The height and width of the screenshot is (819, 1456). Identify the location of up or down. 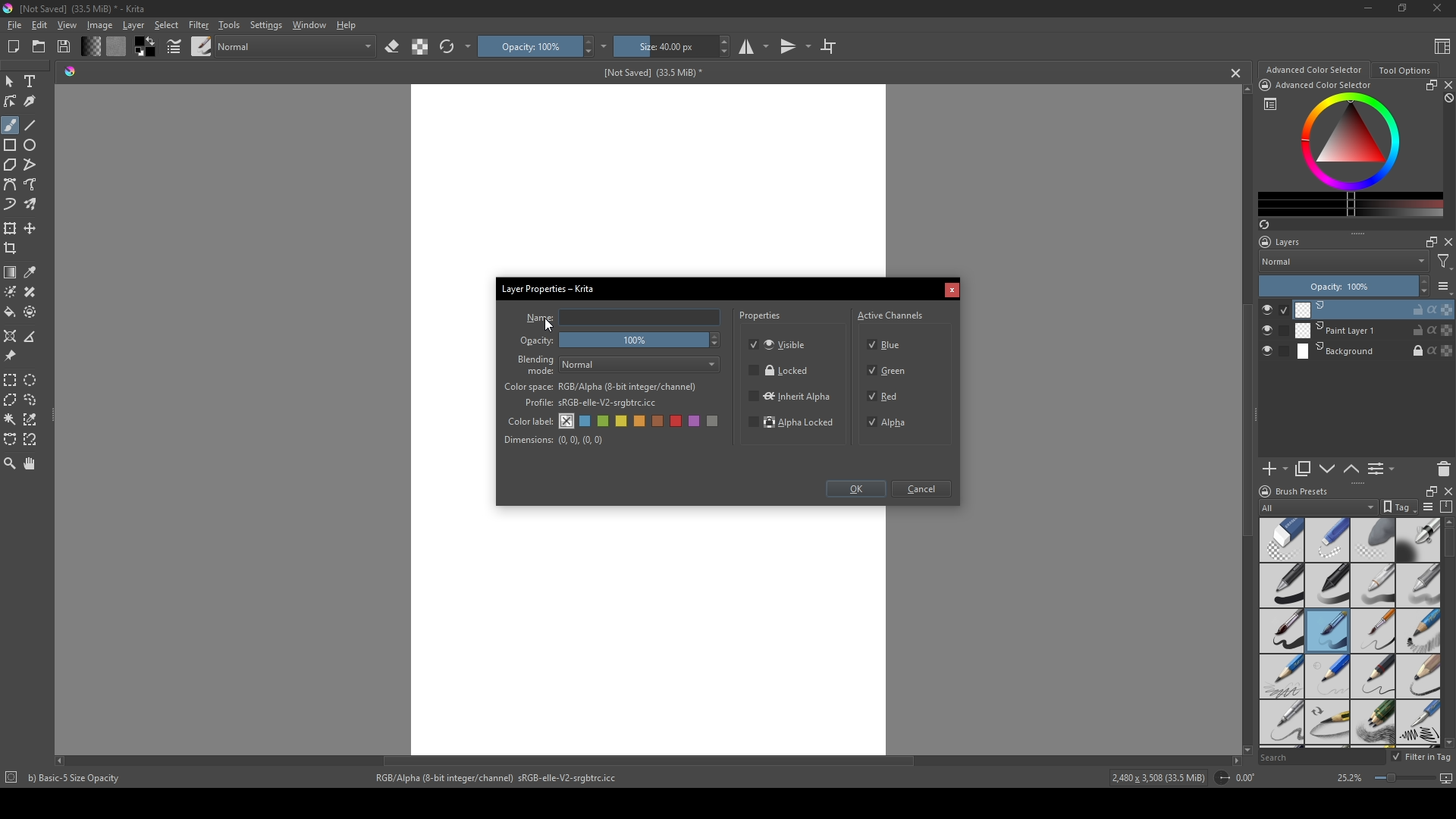
(1352, 469).